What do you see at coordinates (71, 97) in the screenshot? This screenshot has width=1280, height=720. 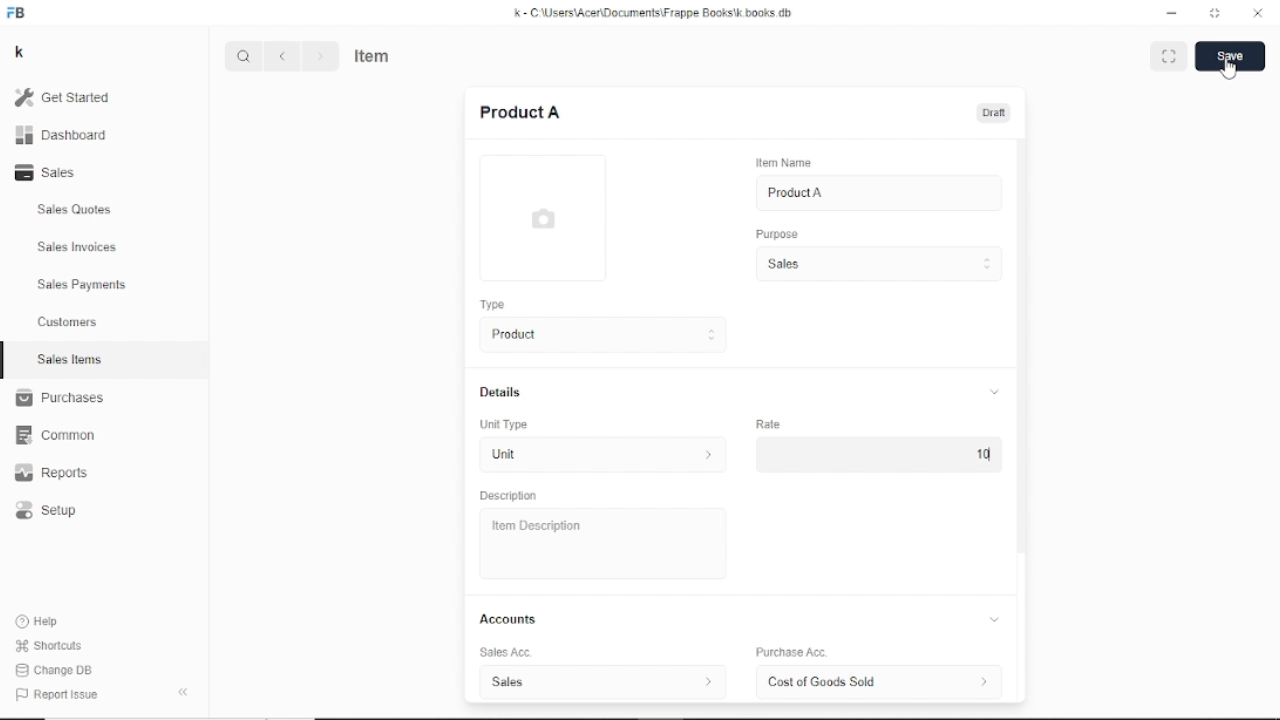 I see `Get started` at bounding box center [71, 97].